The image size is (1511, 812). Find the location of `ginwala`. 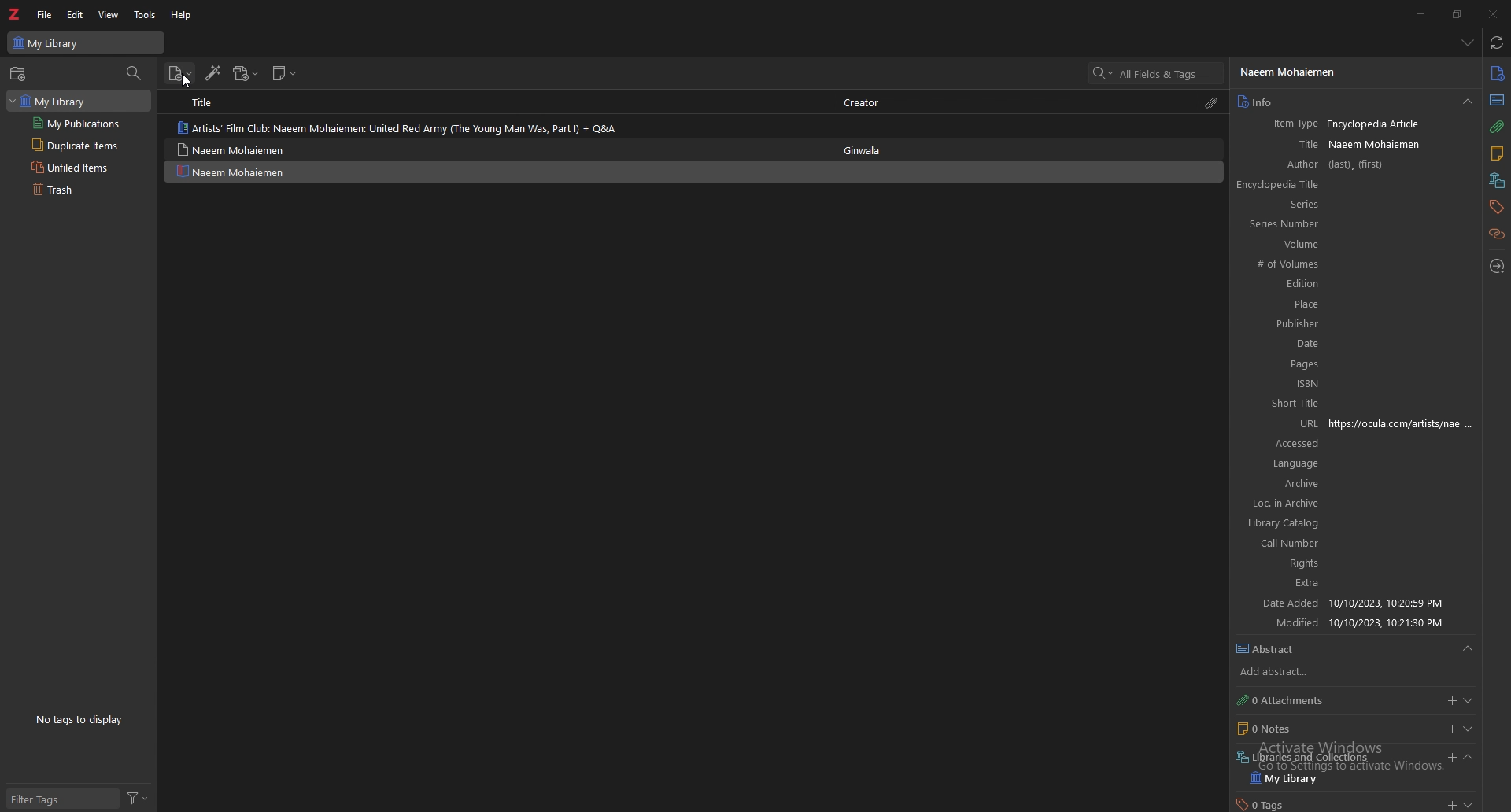

ginwala is located at coordinates (871, 149).